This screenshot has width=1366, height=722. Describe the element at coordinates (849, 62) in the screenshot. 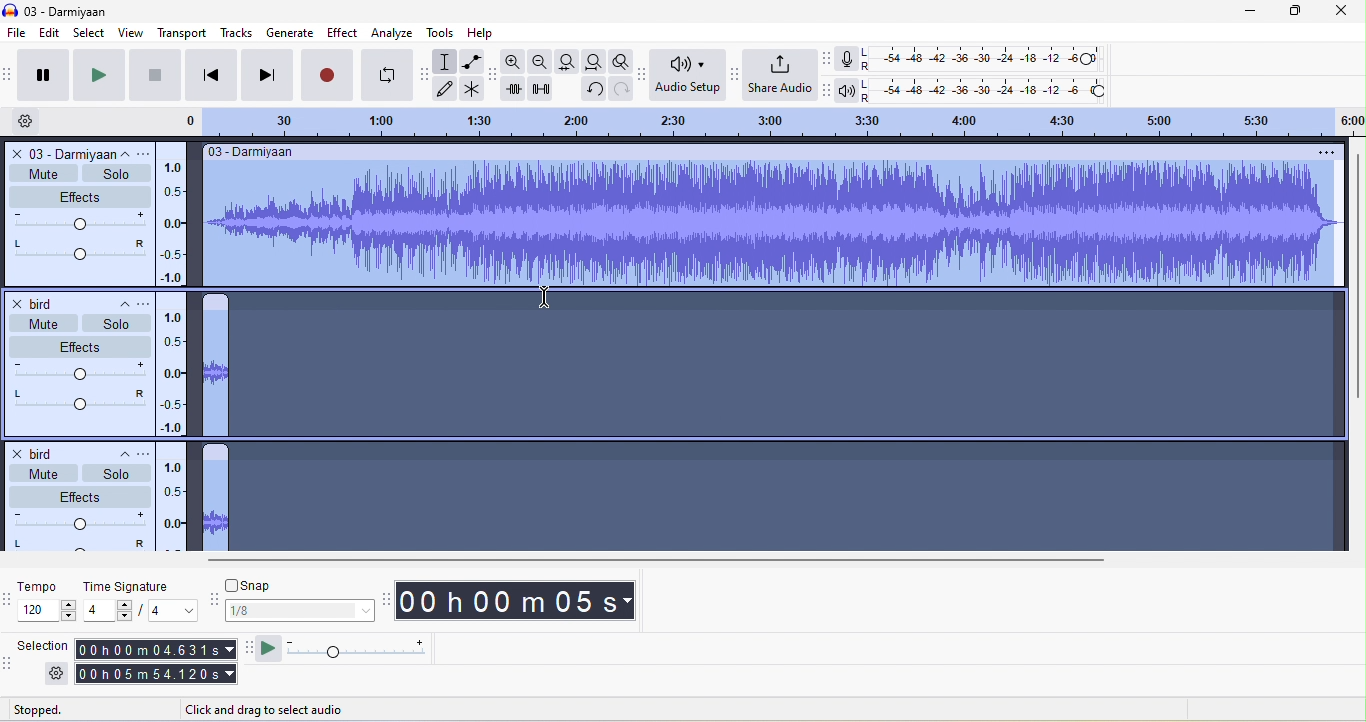

I see `record meter` at that location.